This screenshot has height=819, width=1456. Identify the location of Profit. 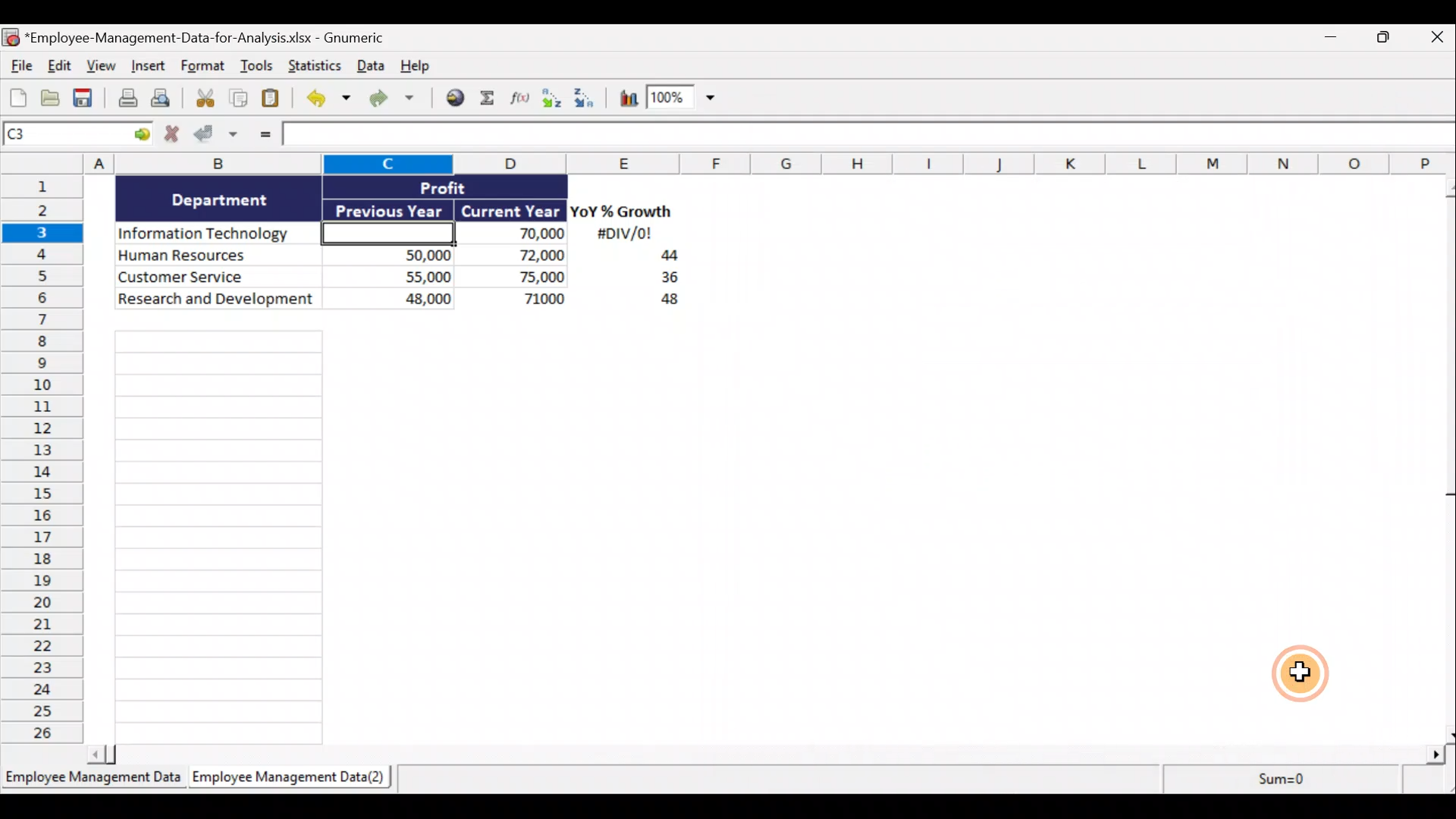
(468, 187).